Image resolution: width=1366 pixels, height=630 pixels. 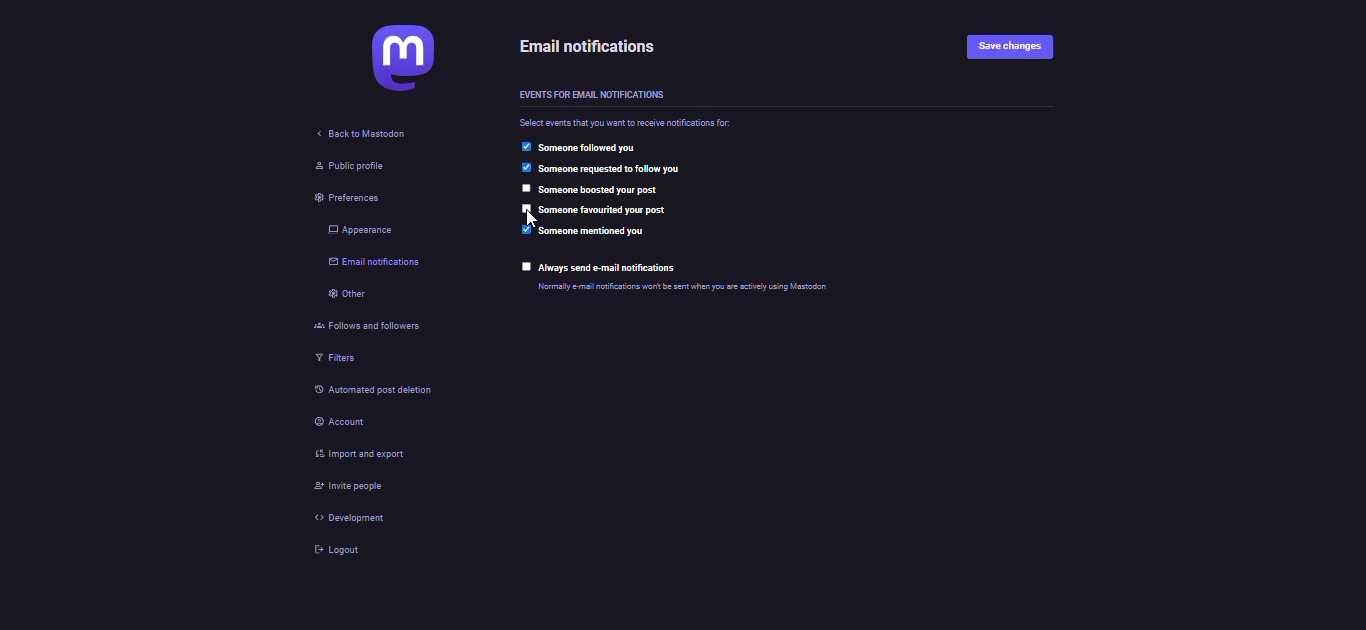 I want to click on mastodon, so click(x=401, y=56).